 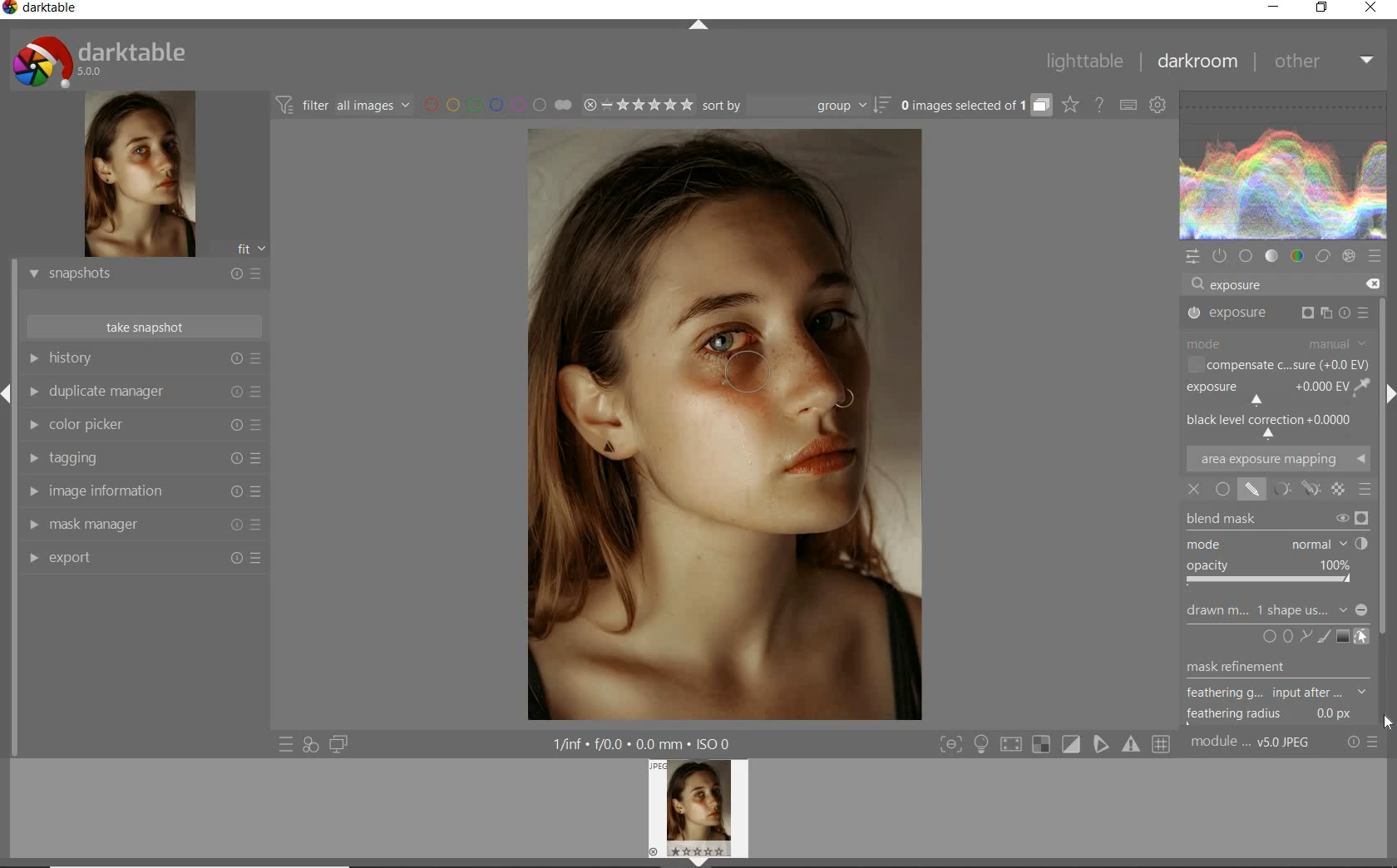 What do you see at coordinates (1382, 452) in the screenshot?
I see `scrollbar` at bounding box center [1382, 452].